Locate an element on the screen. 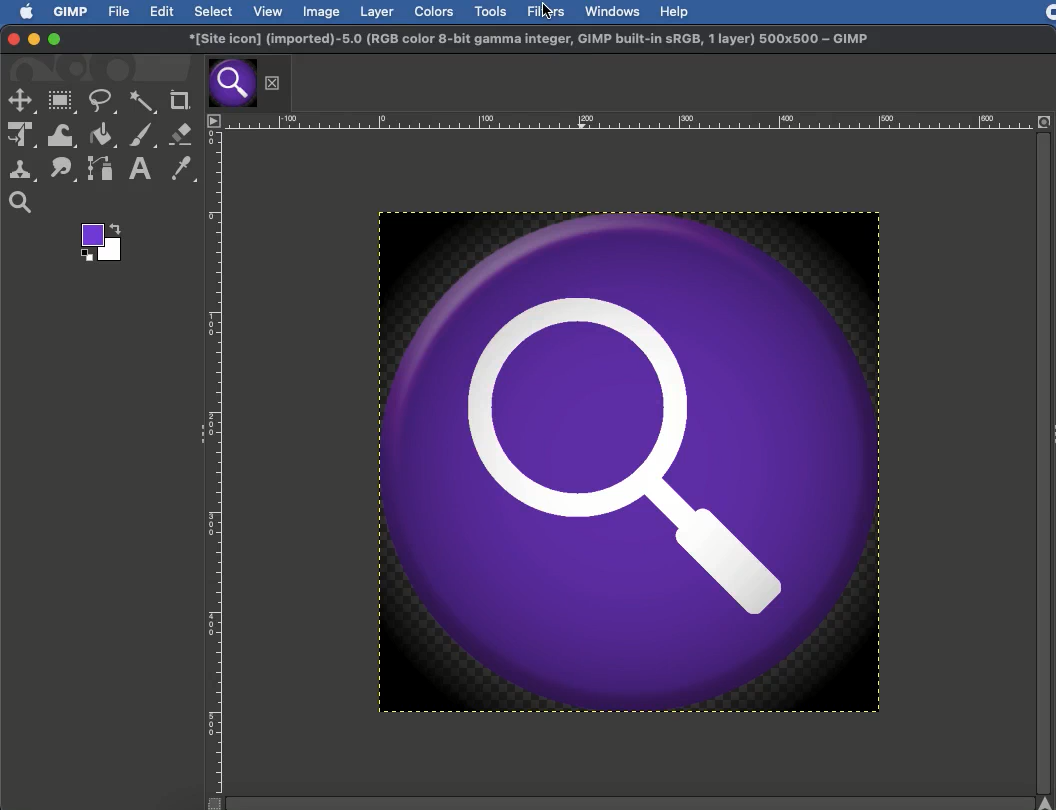  Rectangular selection is located at coordinates (62, 102).